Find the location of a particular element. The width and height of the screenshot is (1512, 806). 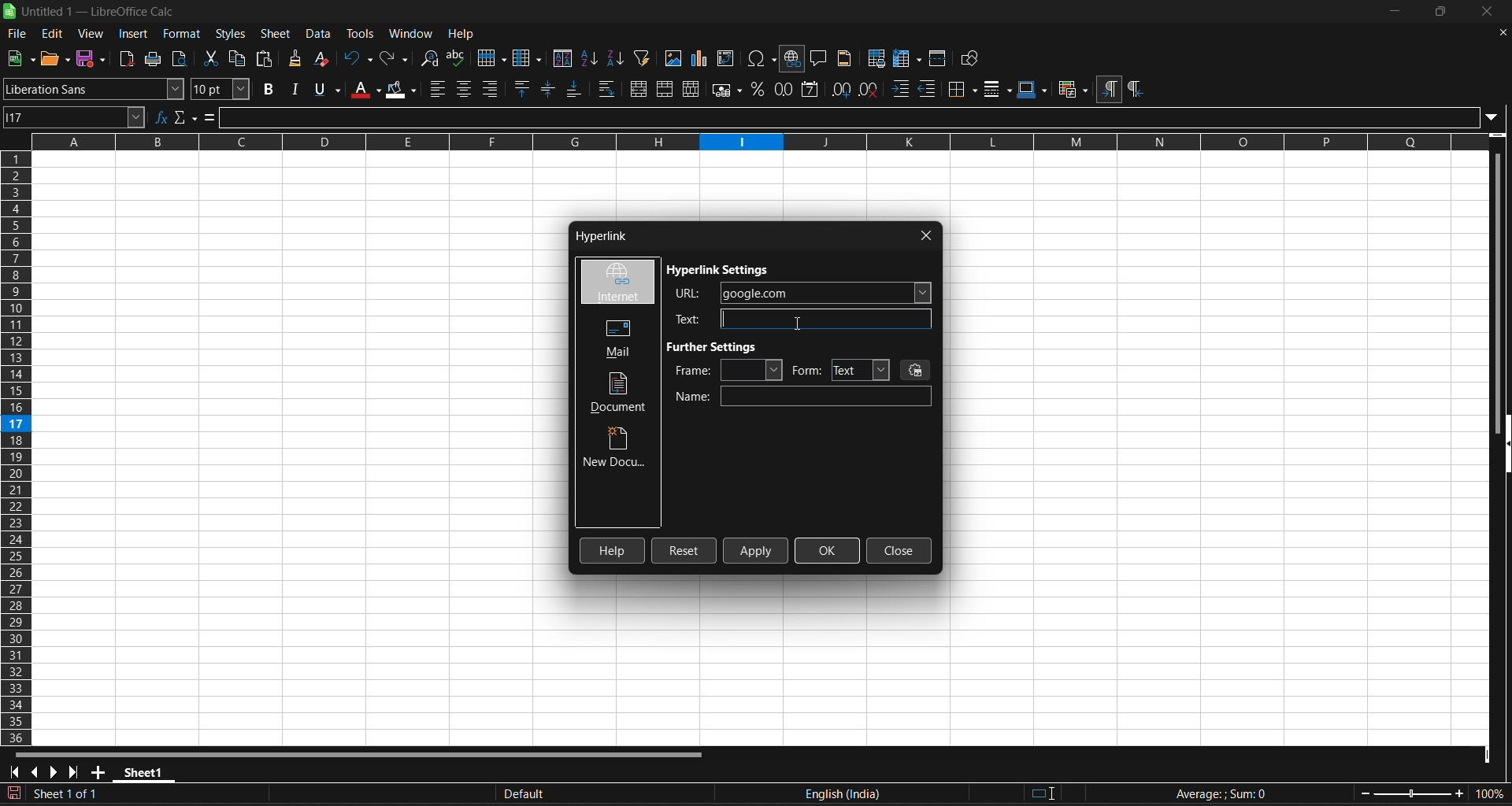

remove decimal place is located at coordinates (870, 90).